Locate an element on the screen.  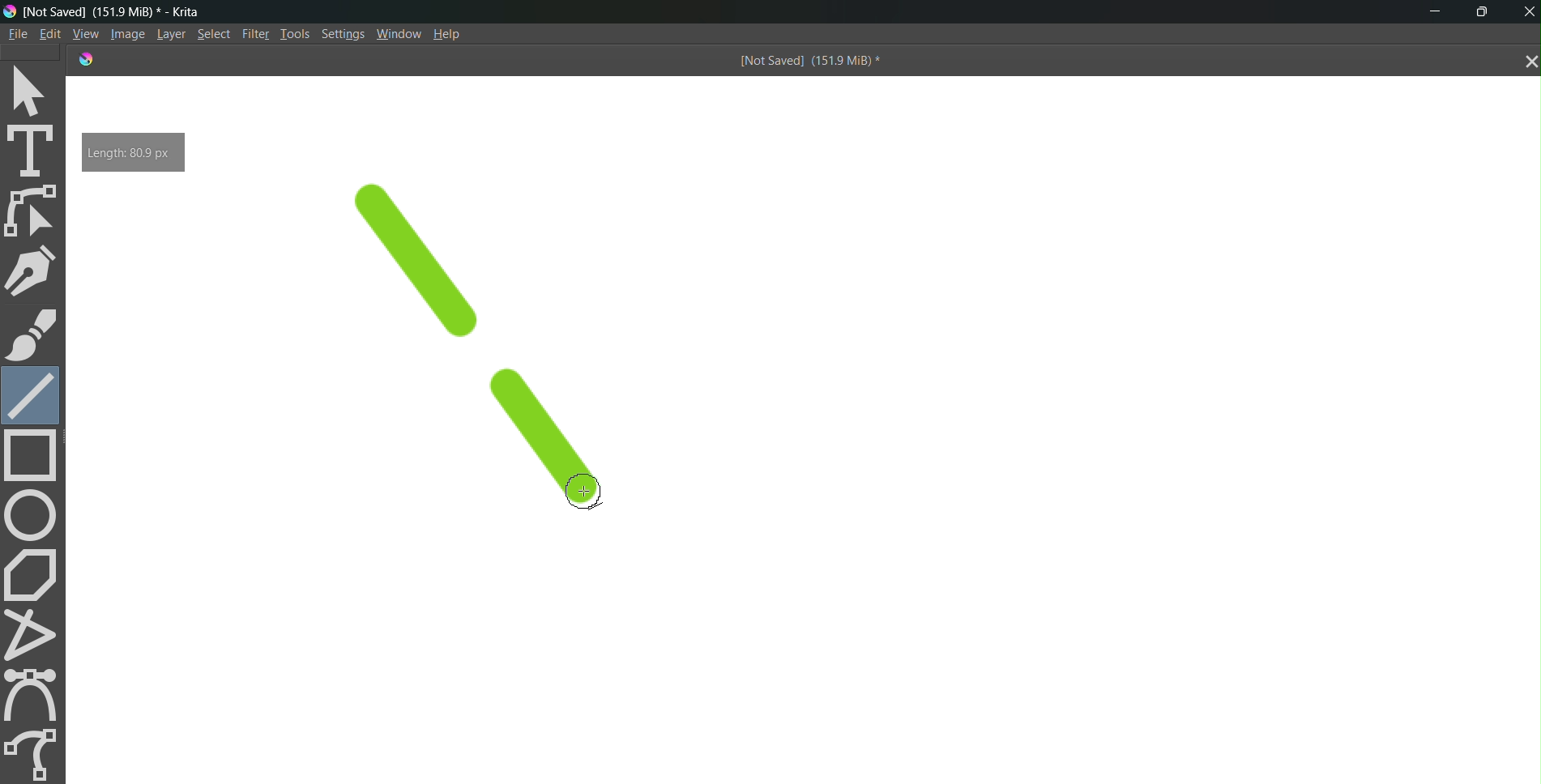
logo is located at coordinates (83, 58).